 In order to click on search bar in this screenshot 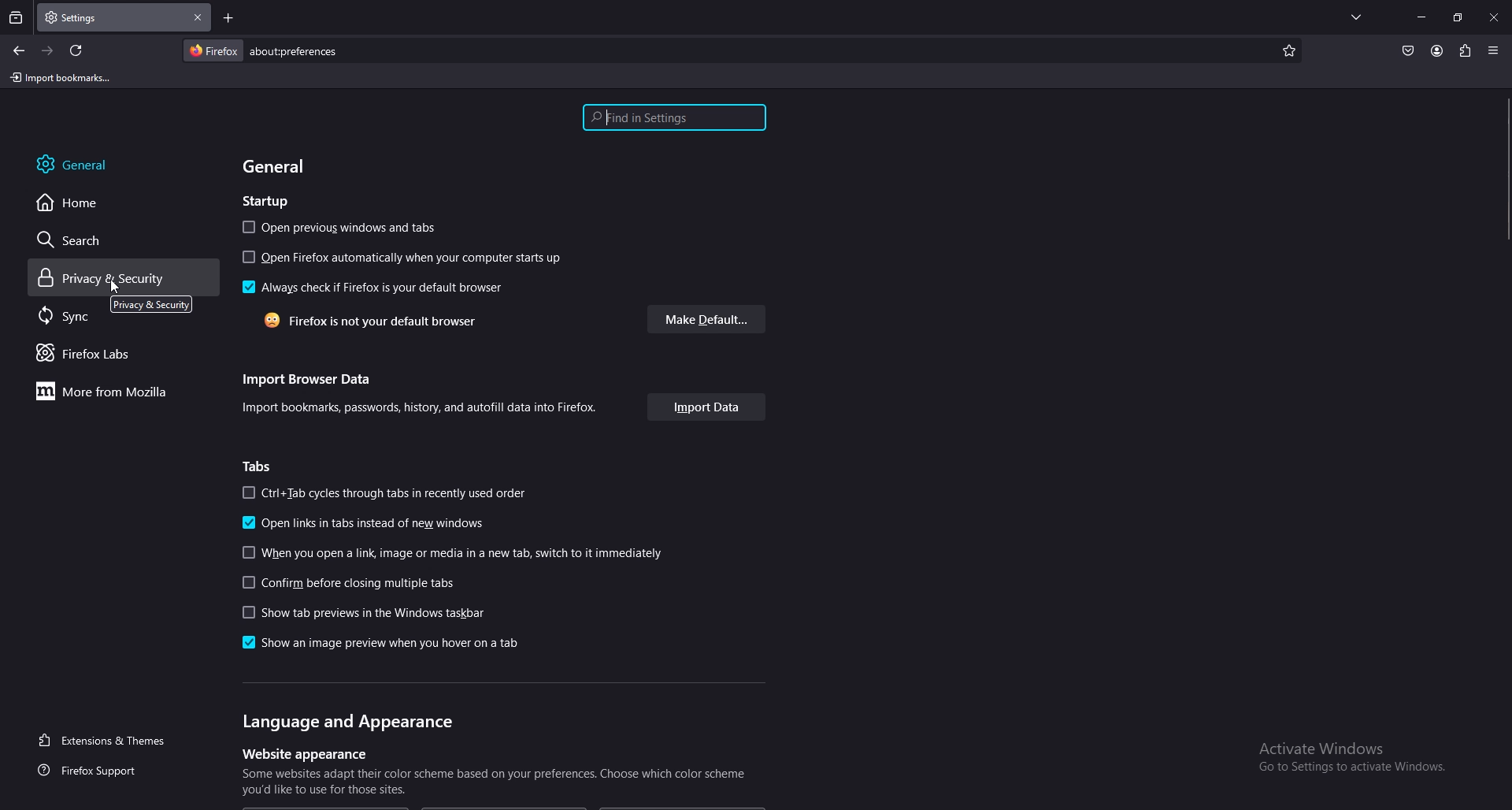, I will do `click(318, 51)`.